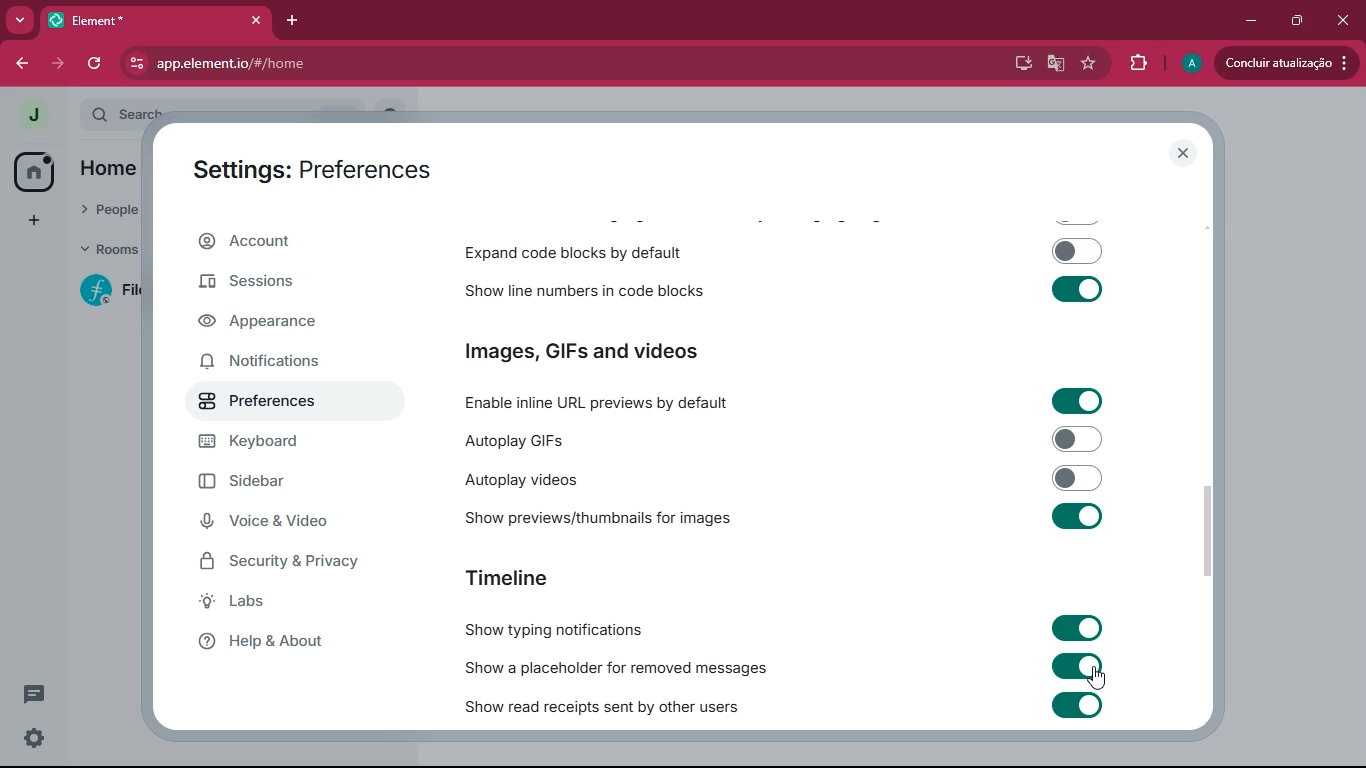 The height and width of the screenshot is (768, 1366). Describe the element at coordinates (622, 442) in the screenshot. I see `autoplay GIFs` at that location.